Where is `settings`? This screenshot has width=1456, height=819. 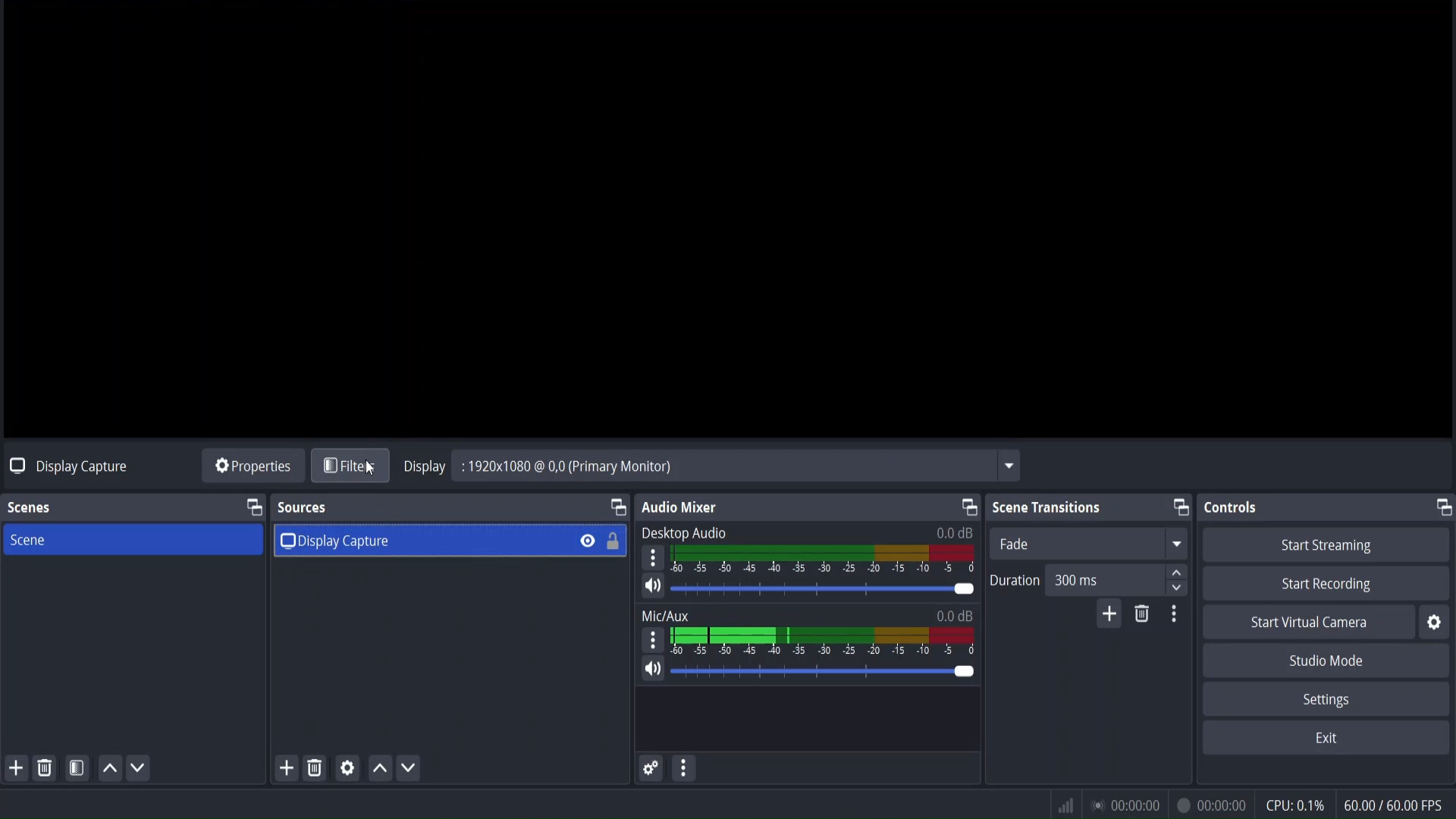 settings is located at coordinates (652, 641).